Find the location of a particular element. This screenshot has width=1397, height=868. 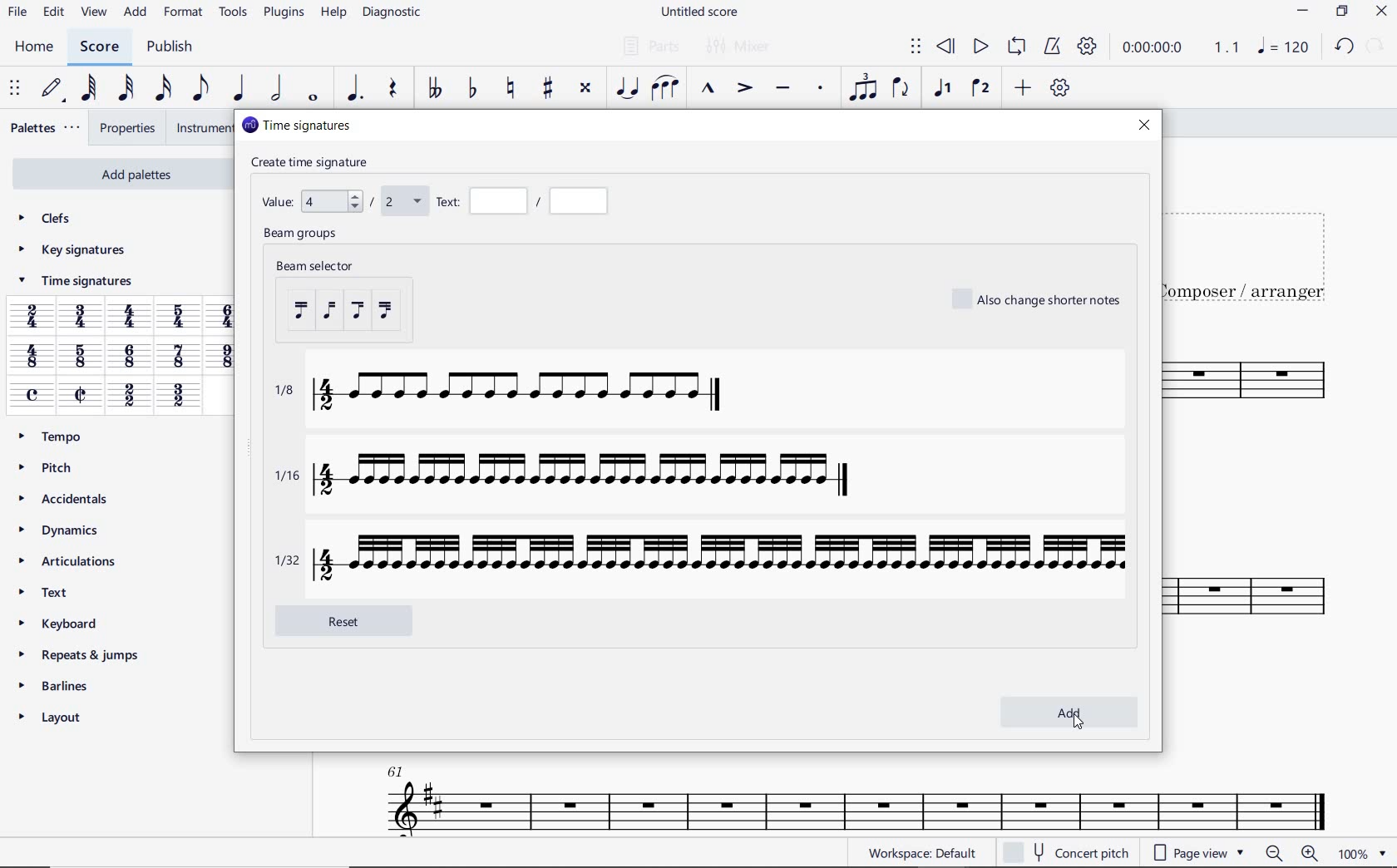

TEXT is located at coordinates (50, 591).